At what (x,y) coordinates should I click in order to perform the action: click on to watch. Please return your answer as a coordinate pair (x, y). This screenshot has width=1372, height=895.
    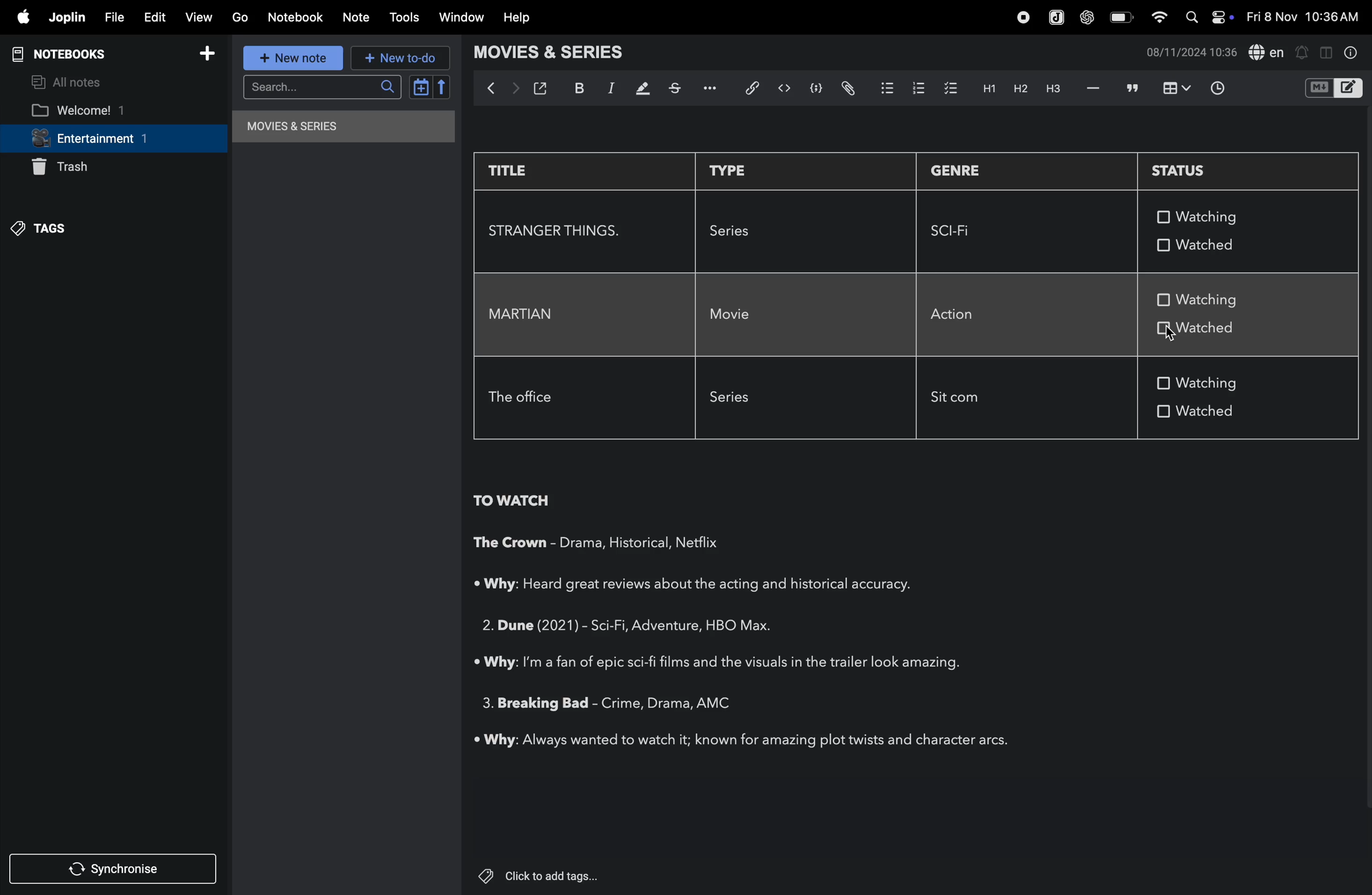
    Looking at the image, I should click on (511, 502).